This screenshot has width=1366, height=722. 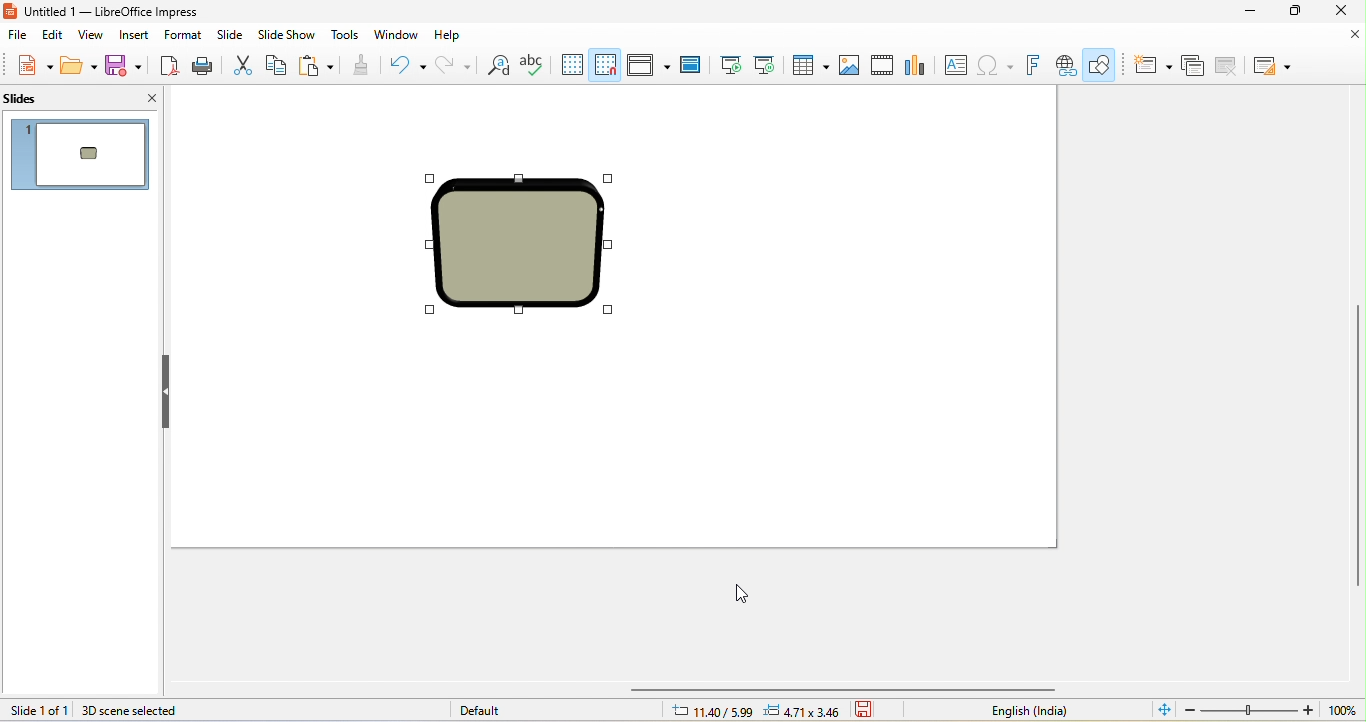 I want to click on insert, so click(x=137, y=35).